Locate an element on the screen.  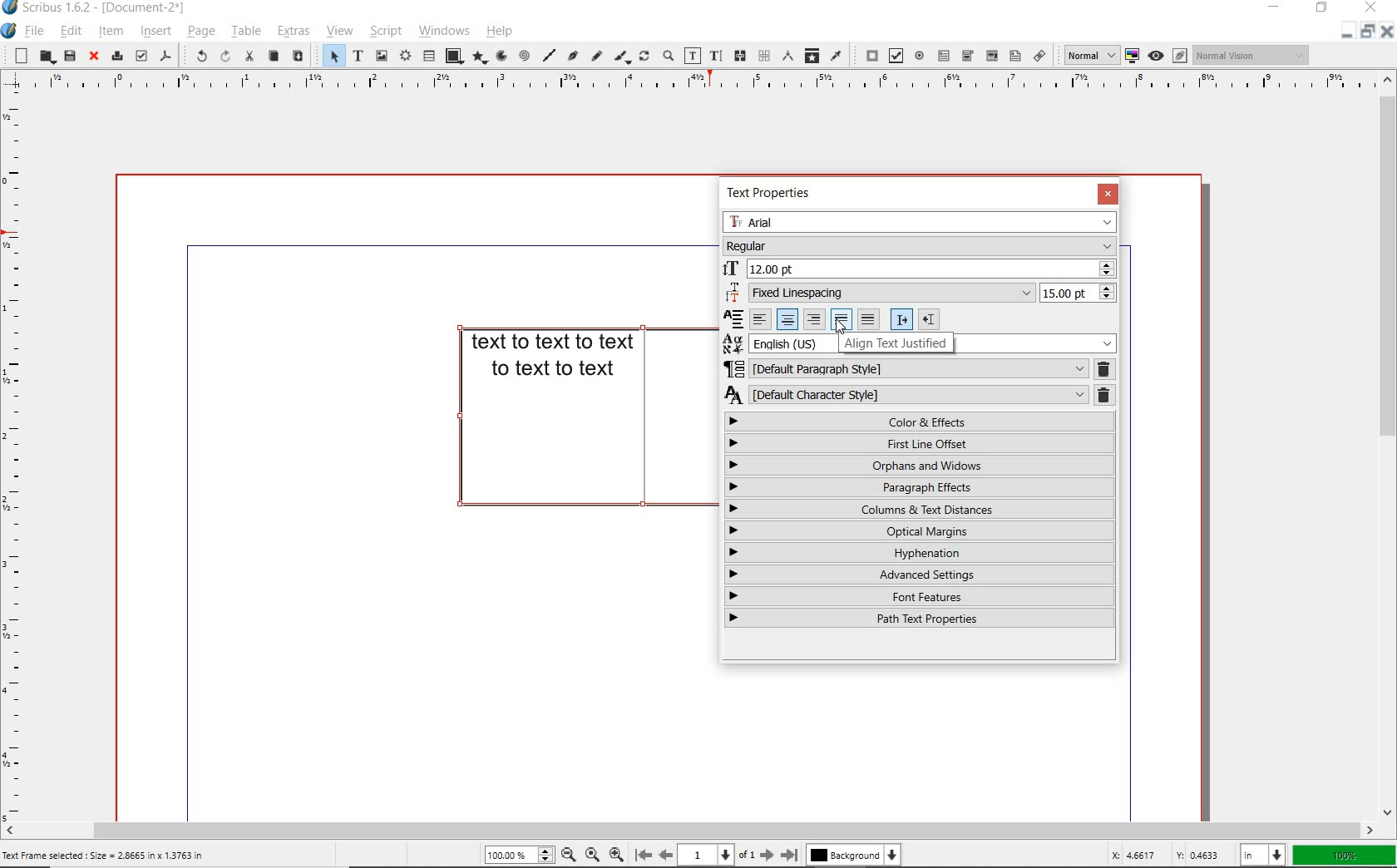
default zoom is located at coordinates (590, 853).